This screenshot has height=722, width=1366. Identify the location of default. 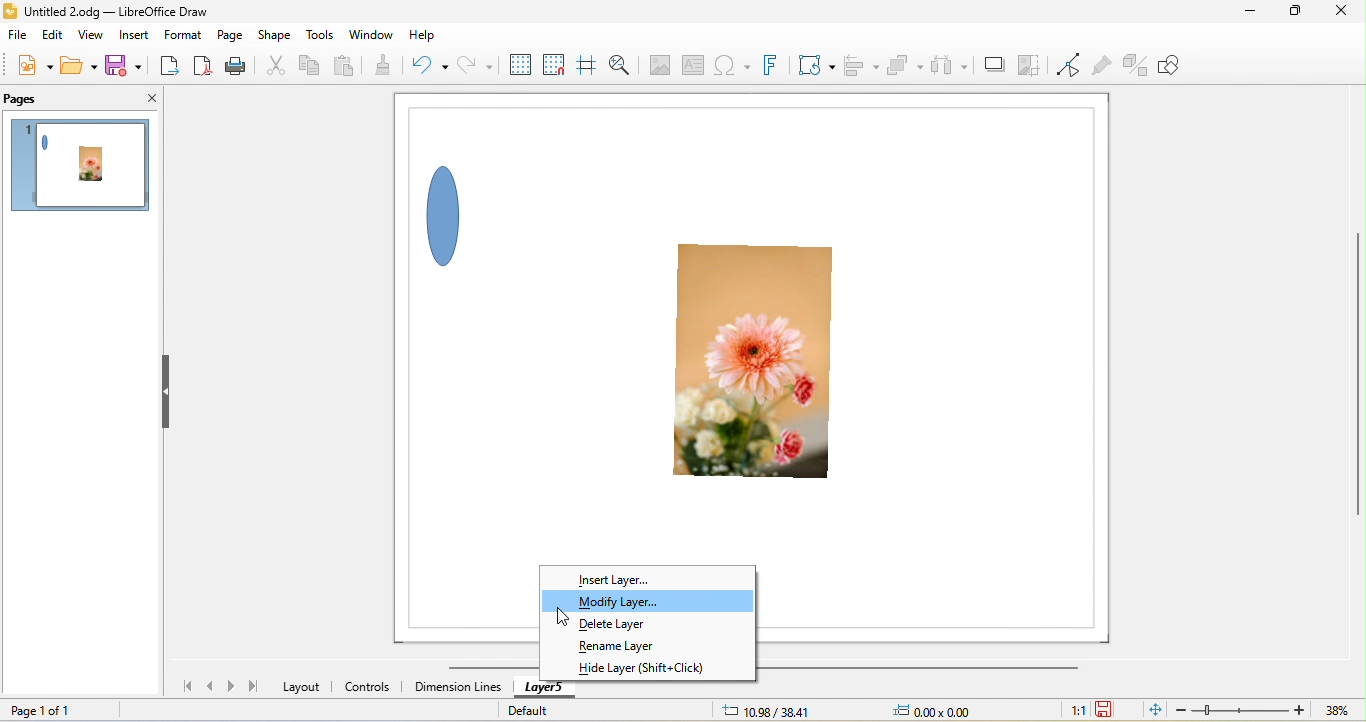
(541, 709).